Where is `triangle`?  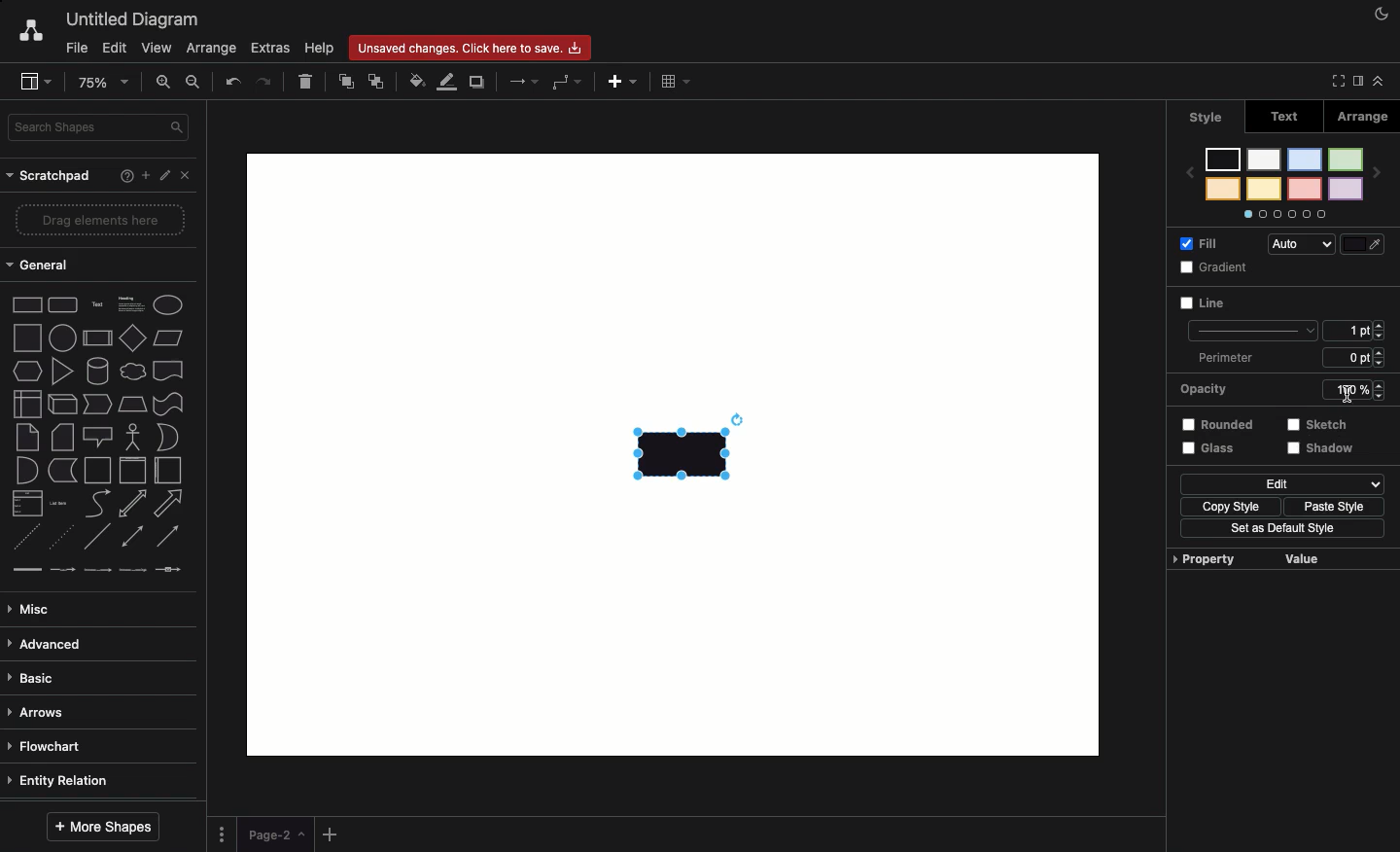 triangle is located at coordinates (61, 370).